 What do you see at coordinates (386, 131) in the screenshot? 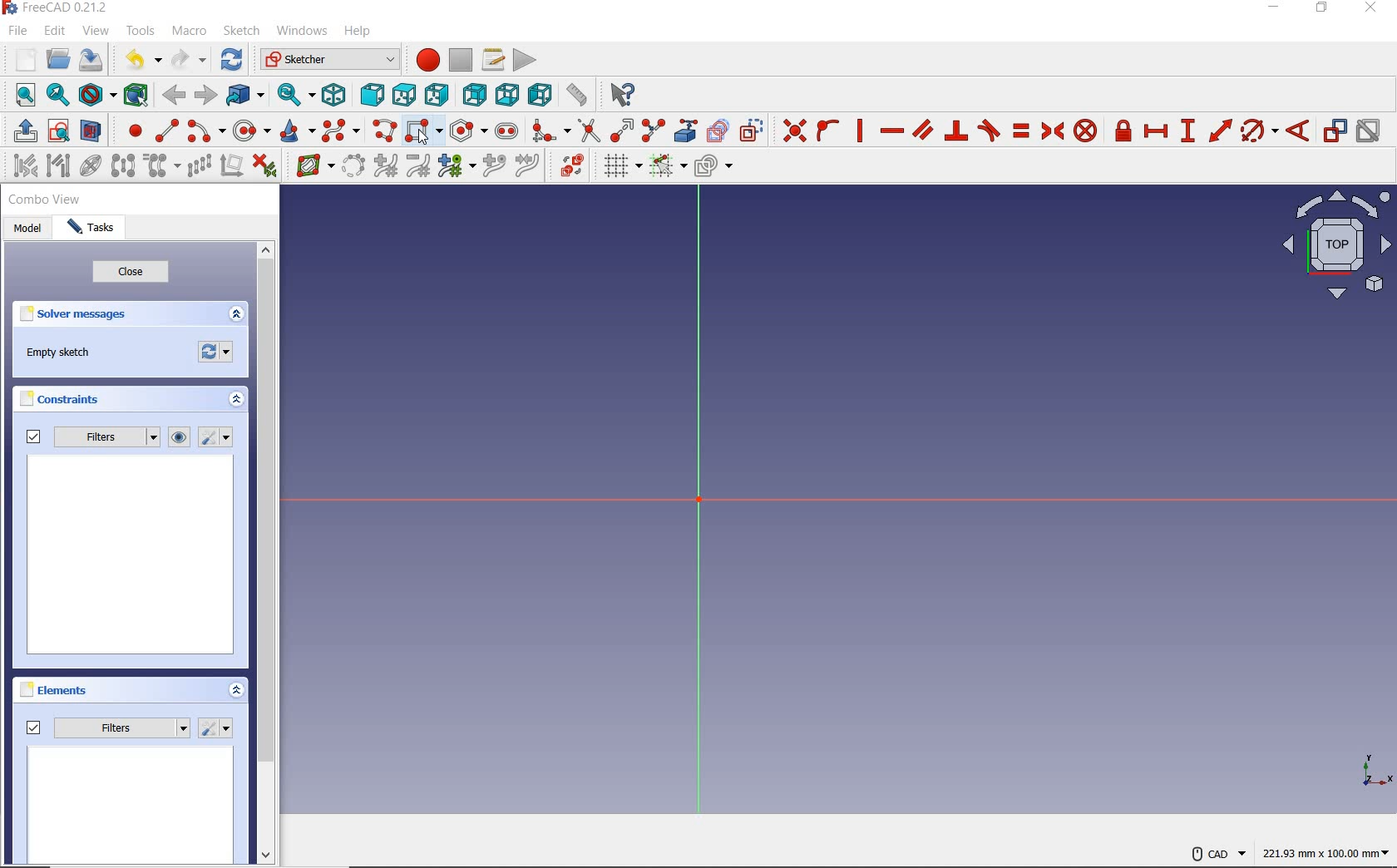
I see `create polyline` at bounding box center [386, 131].